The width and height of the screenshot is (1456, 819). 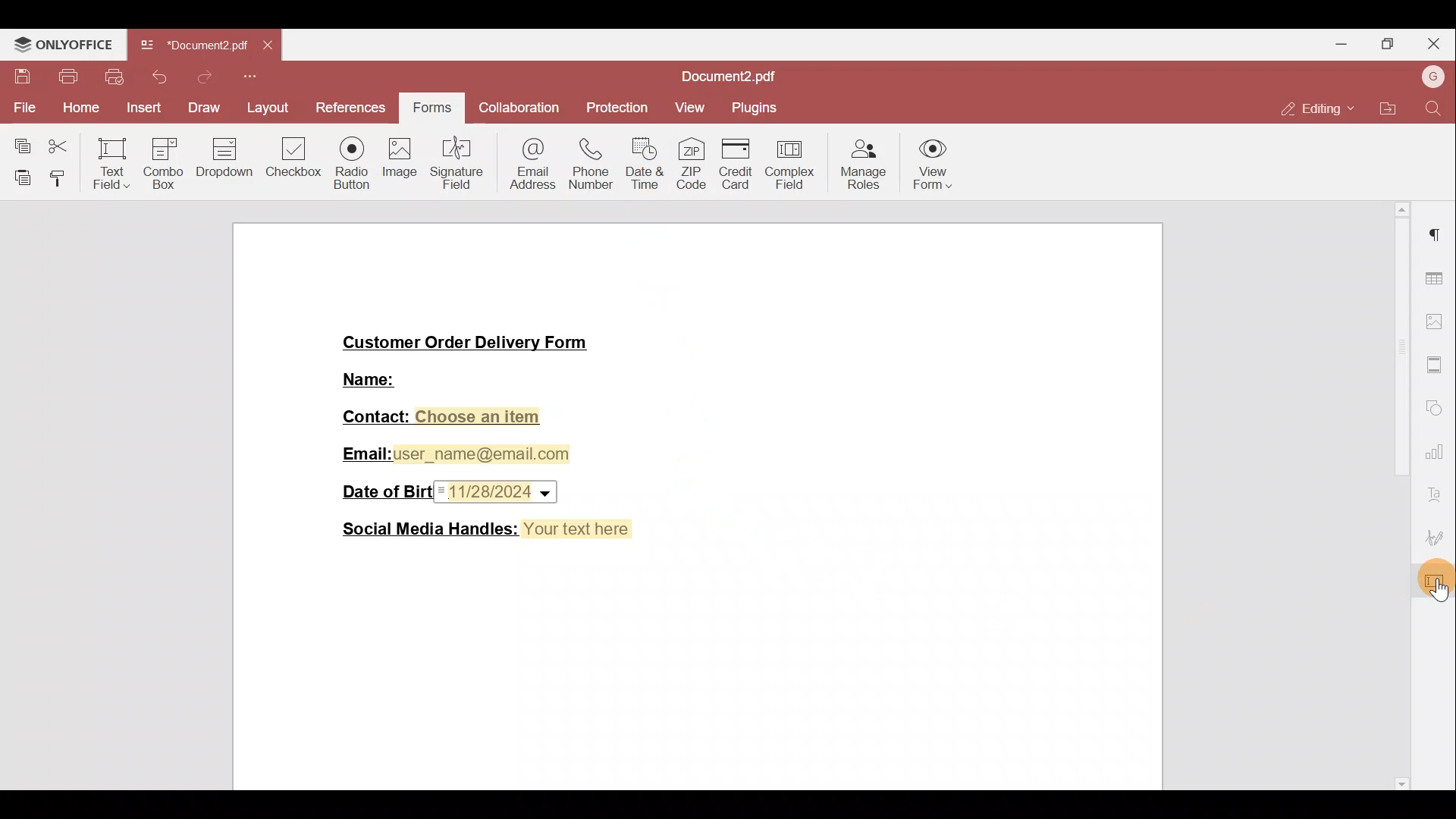 I want to click on Account name, so click(x=1432, y=76).